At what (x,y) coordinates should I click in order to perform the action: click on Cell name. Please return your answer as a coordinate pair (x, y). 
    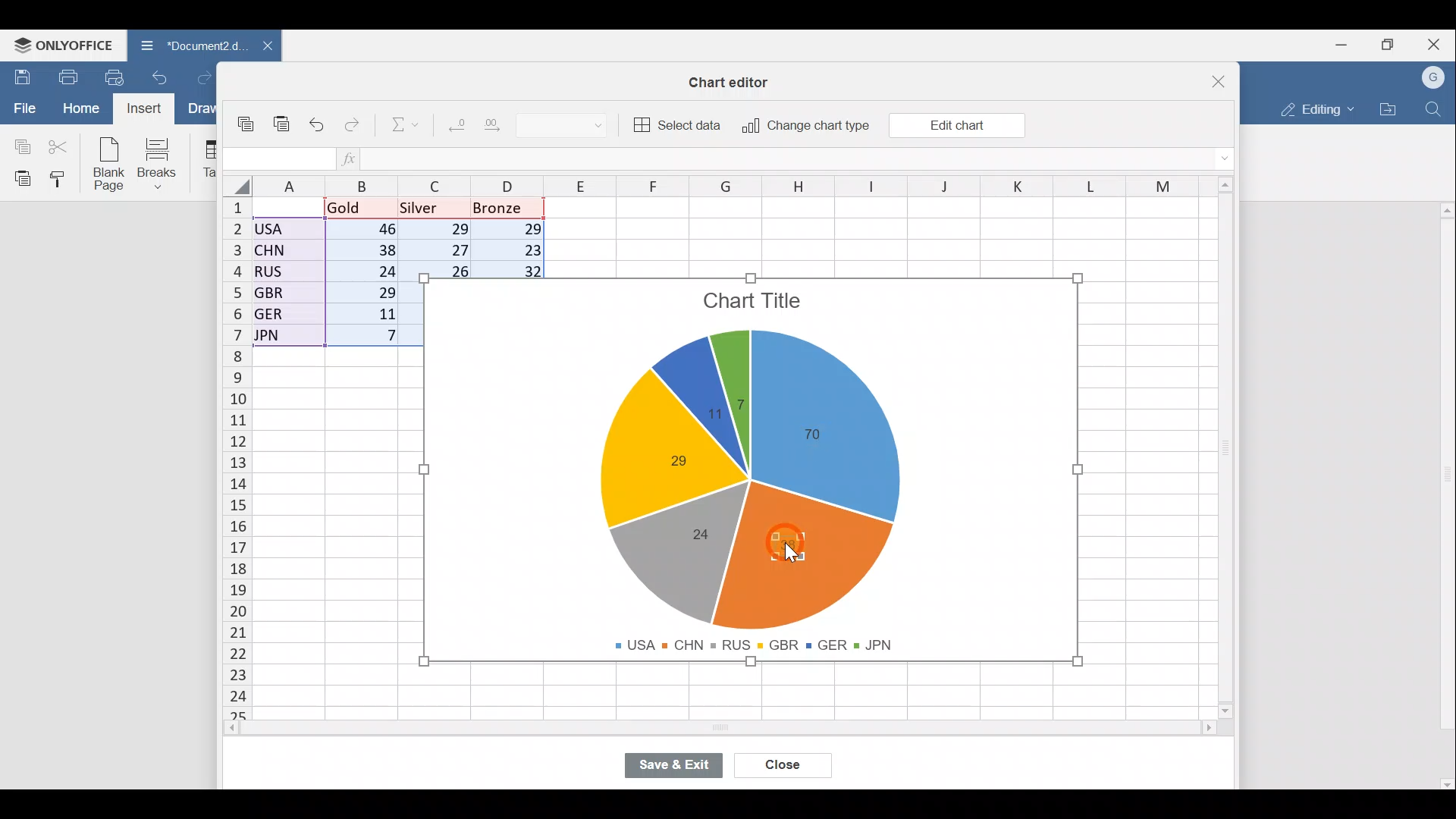
    Looking at the image, I should click on (277, 159).